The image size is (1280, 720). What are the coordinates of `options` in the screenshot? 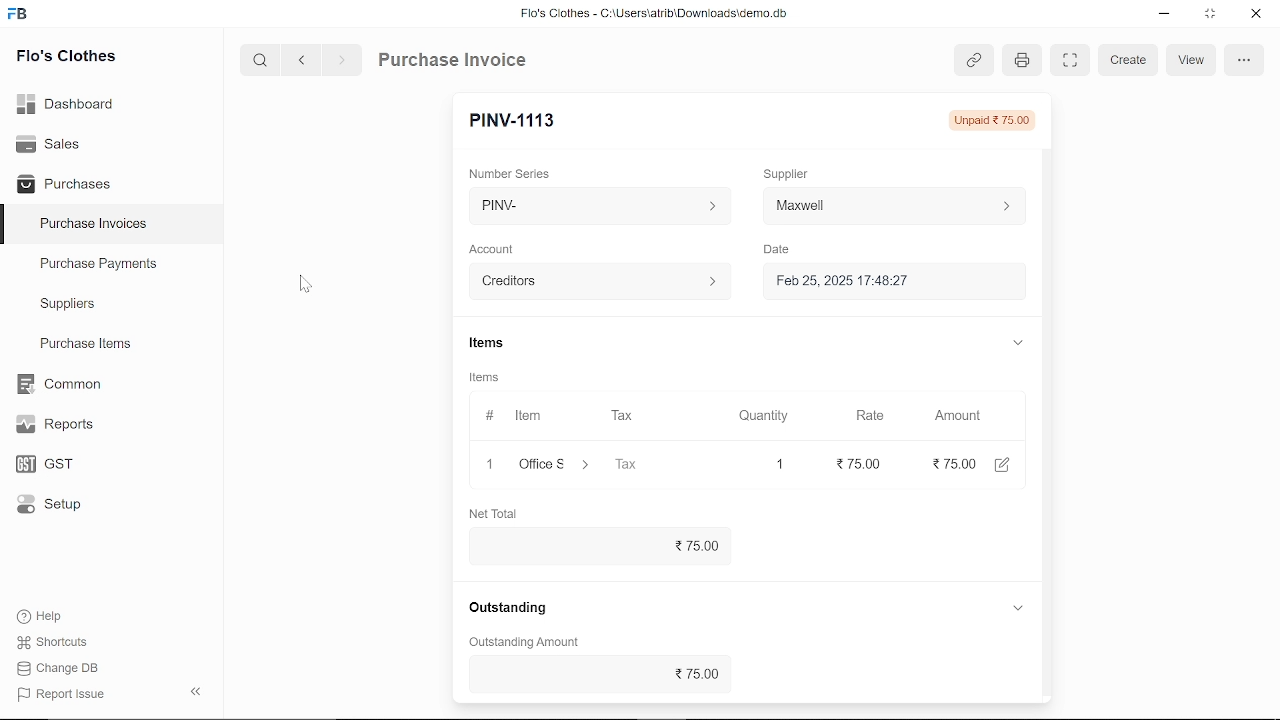 It's located at (1243, 60).